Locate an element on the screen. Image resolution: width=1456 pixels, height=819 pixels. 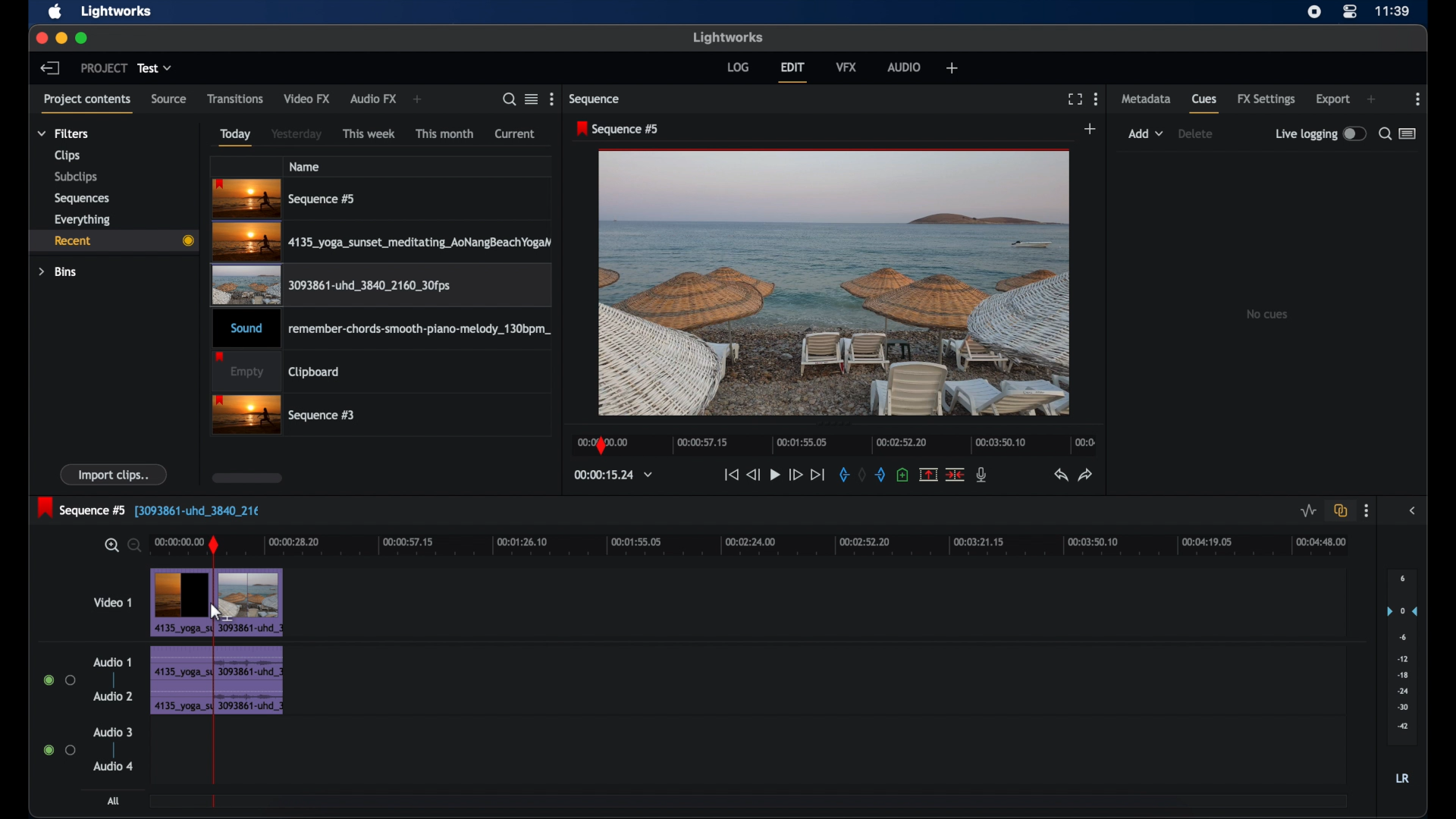
today is located at coordinates (236, 137).